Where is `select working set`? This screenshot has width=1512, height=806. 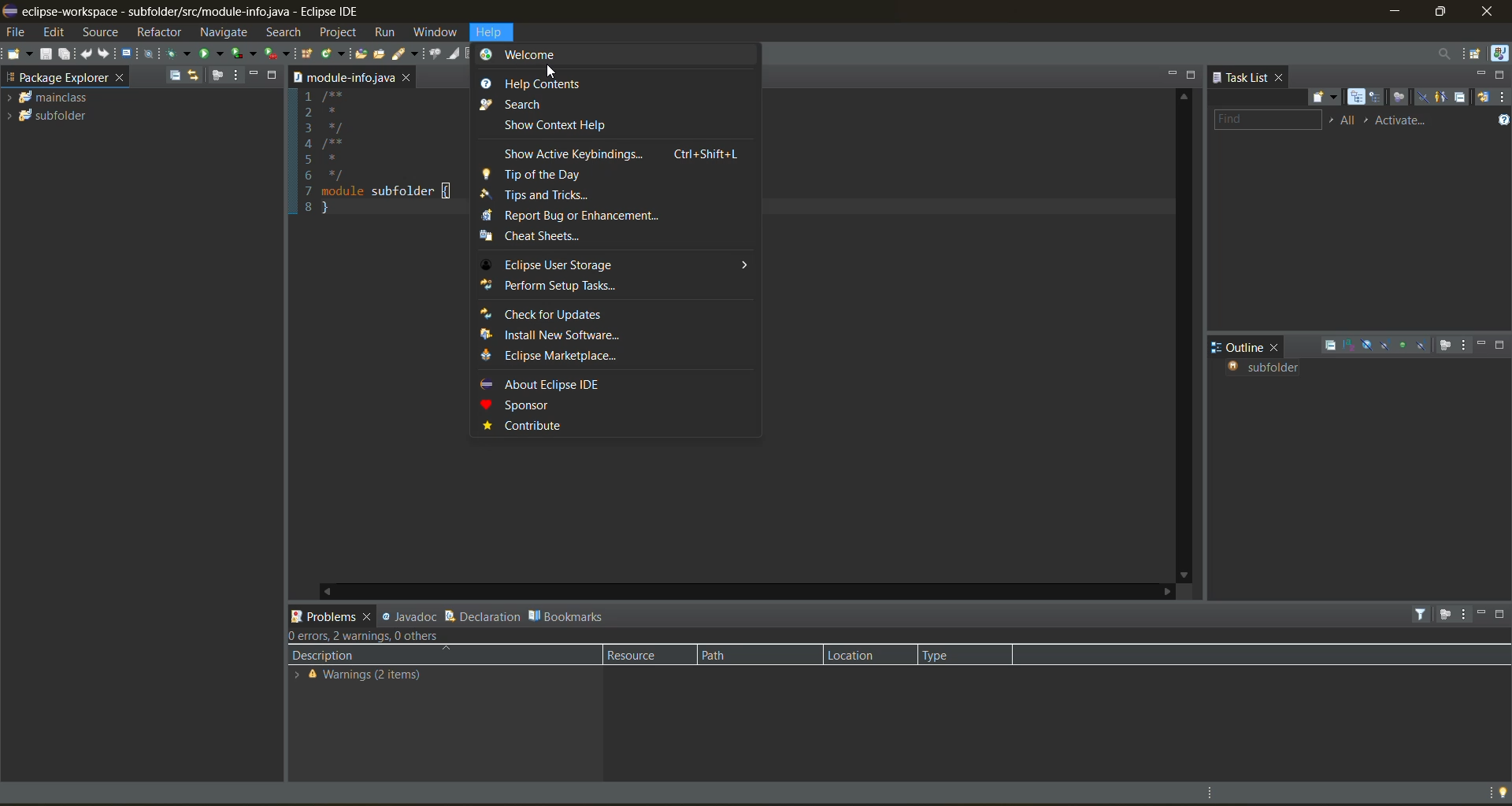
select working set is located at coordinates (1332, 122).